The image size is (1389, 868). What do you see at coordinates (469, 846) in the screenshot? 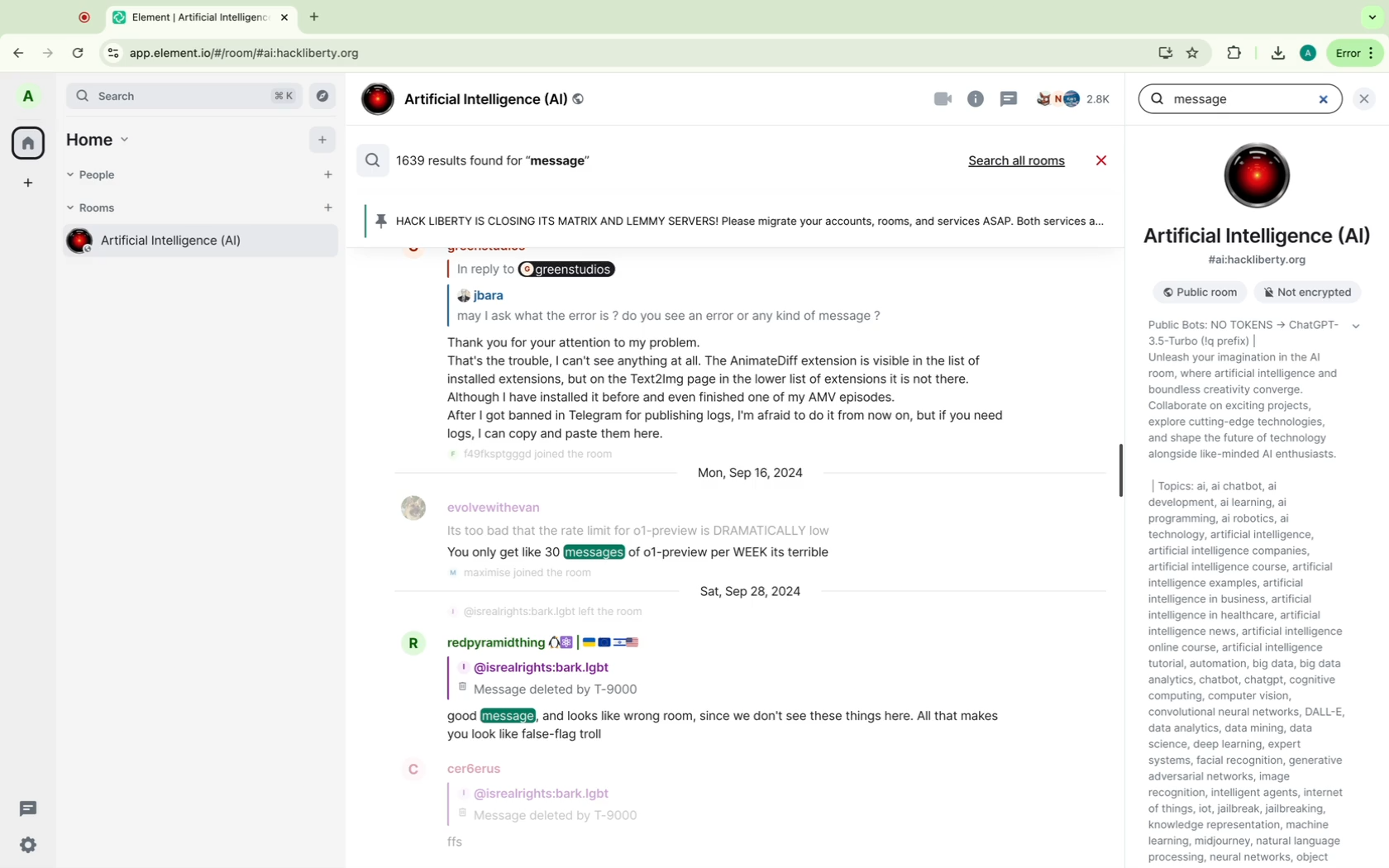
I see `message` at bounding box center [469, 846].